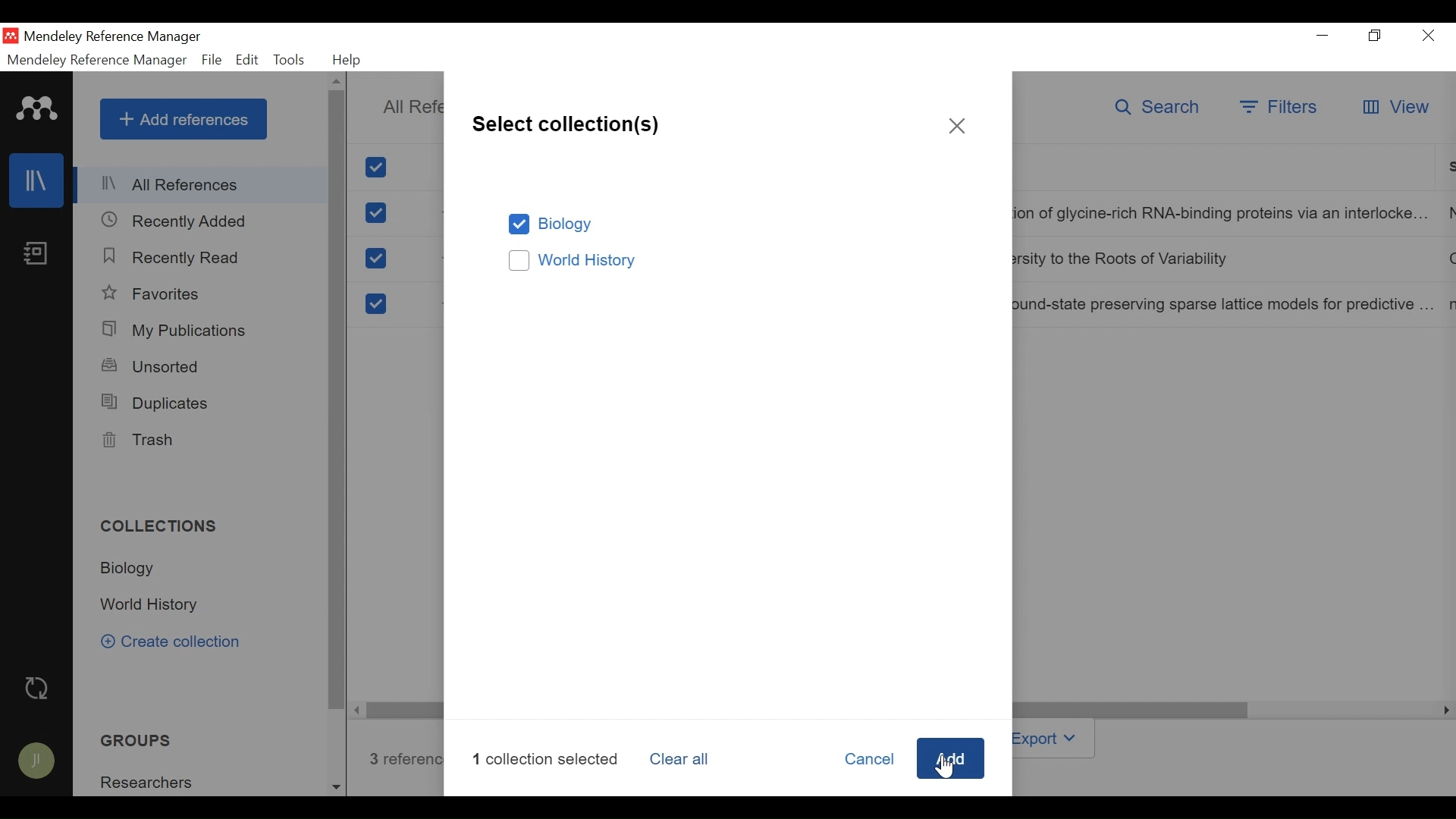 The width and height of the screenshot is (1456, 819). What do you see at coordinates (336, 82) in the screenshot?
I see `Scroll up` at bounding box center [336, 82].